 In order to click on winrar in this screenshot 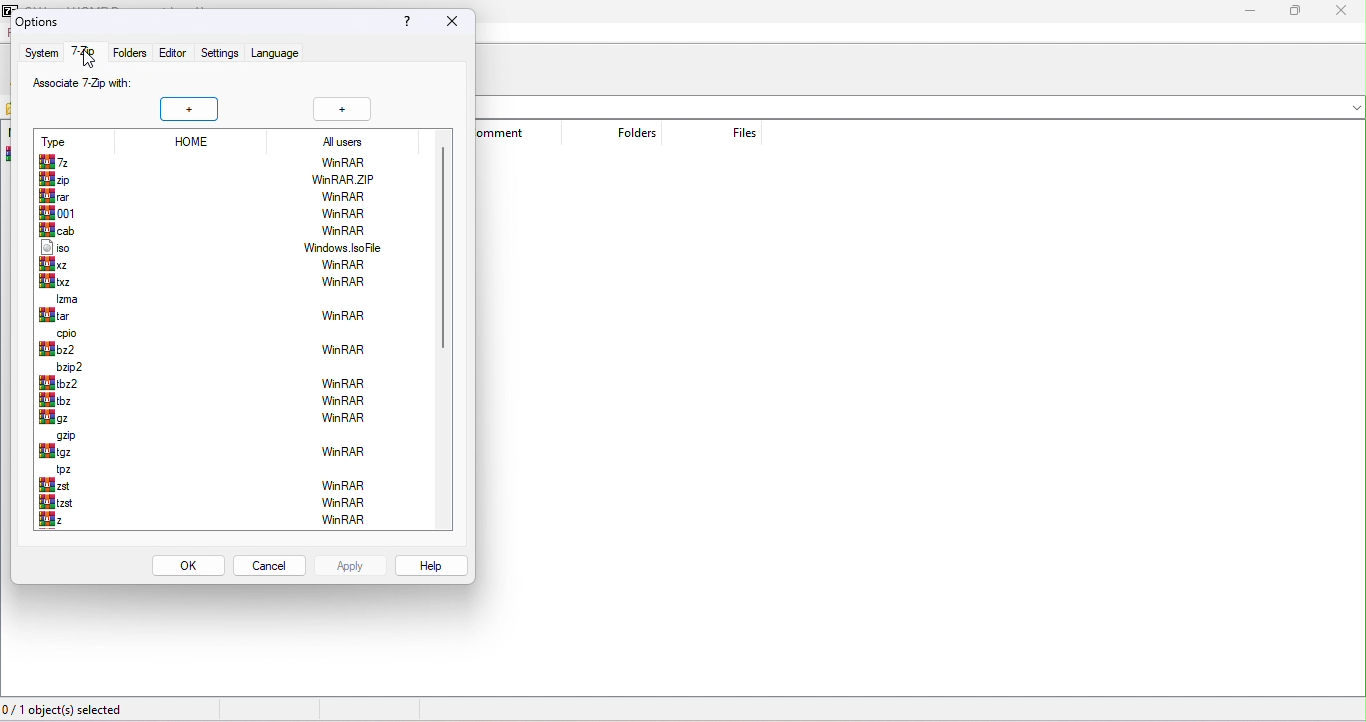, I will do `click(345, 450)`.